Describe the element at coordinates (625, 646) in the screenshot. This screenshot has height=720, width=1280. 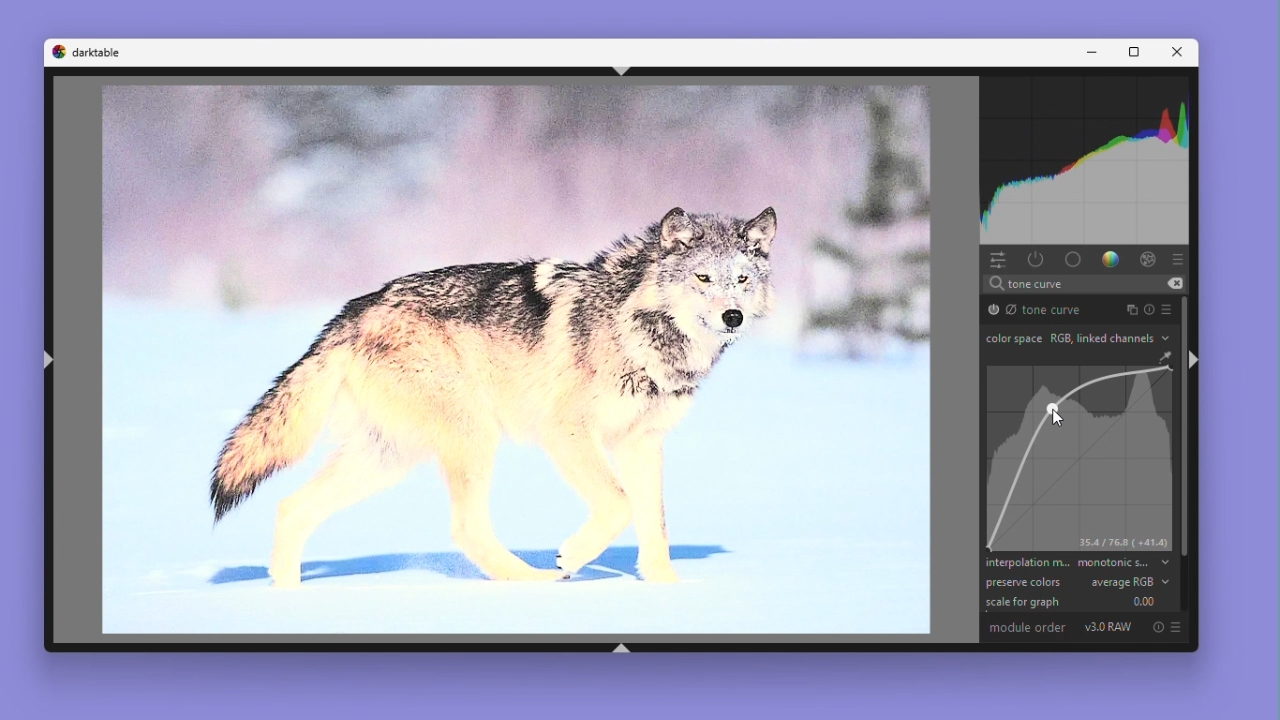
I see `shift+ctrl+b` at that location.